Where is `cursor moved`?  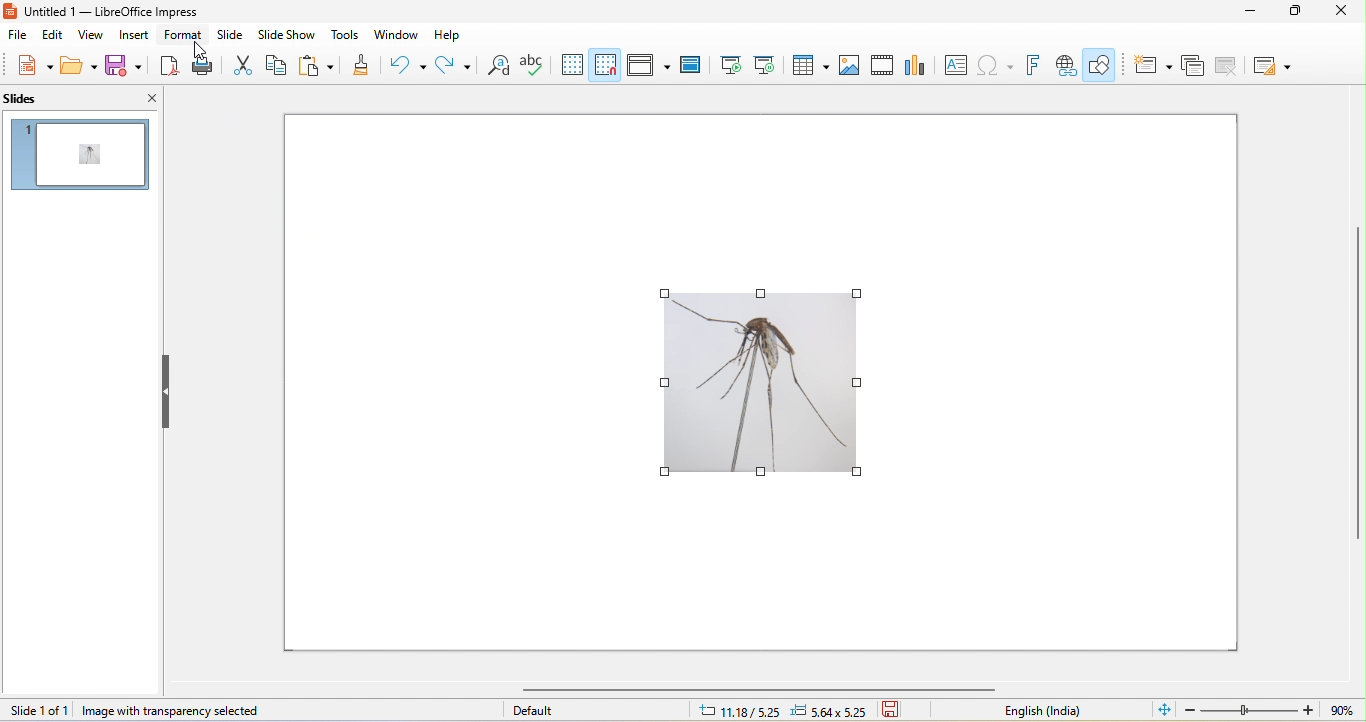
cursor moved is located at coordinates (199, 47).